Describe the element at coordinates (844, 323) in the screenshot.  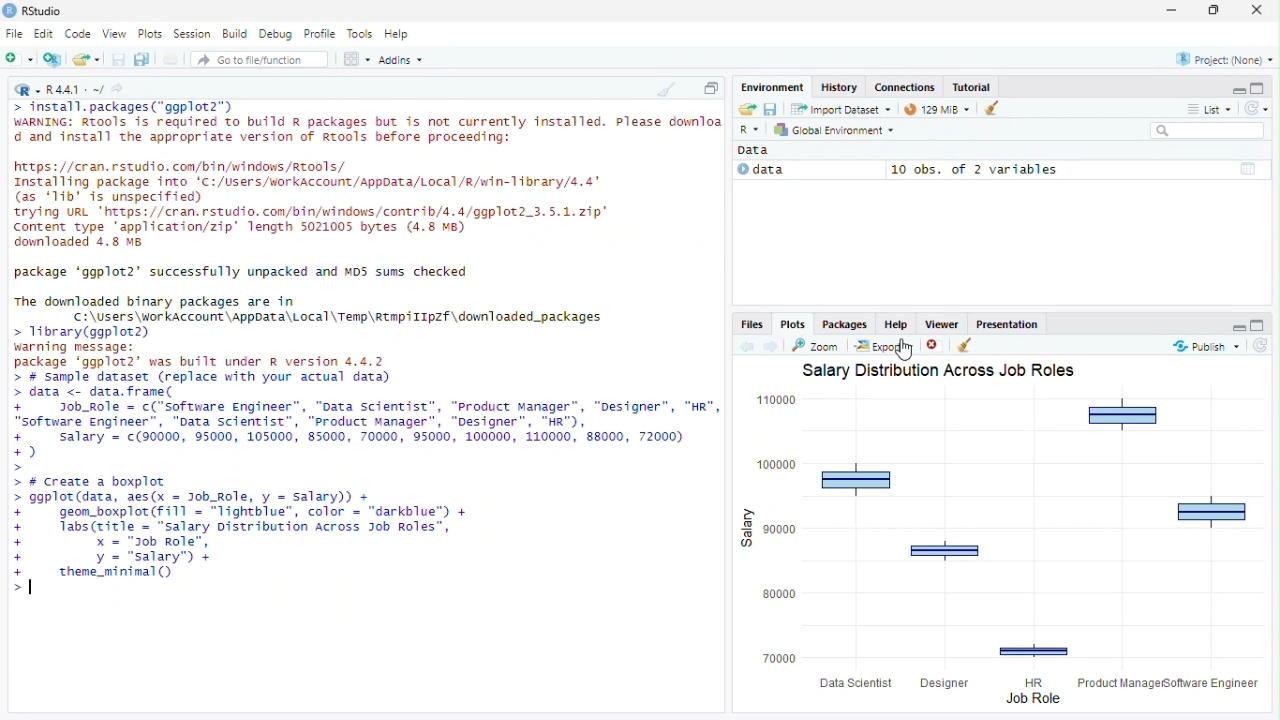
I see `packages` at that location.